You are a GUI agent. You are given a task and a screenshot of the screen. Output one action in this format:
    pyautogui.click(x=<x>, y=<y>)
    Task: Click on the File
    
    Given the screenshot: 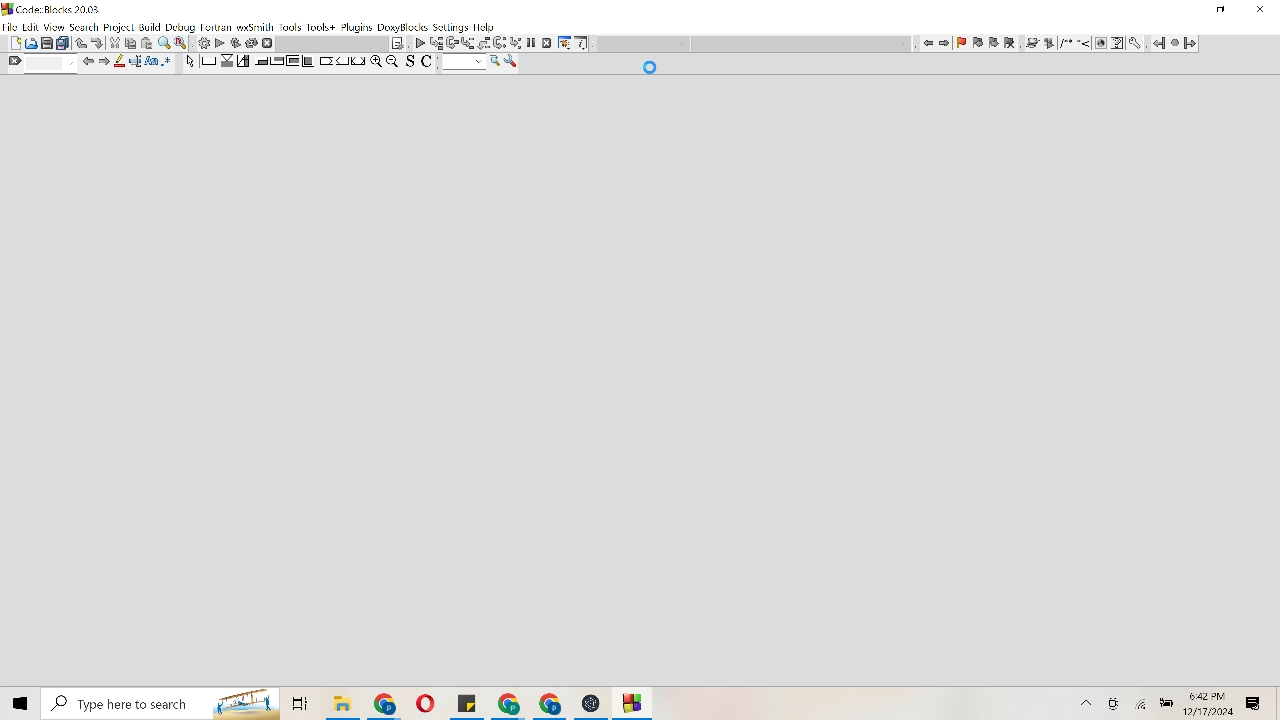 What is the action you would take?
    pyautogui.click(x=591, y=704)
    